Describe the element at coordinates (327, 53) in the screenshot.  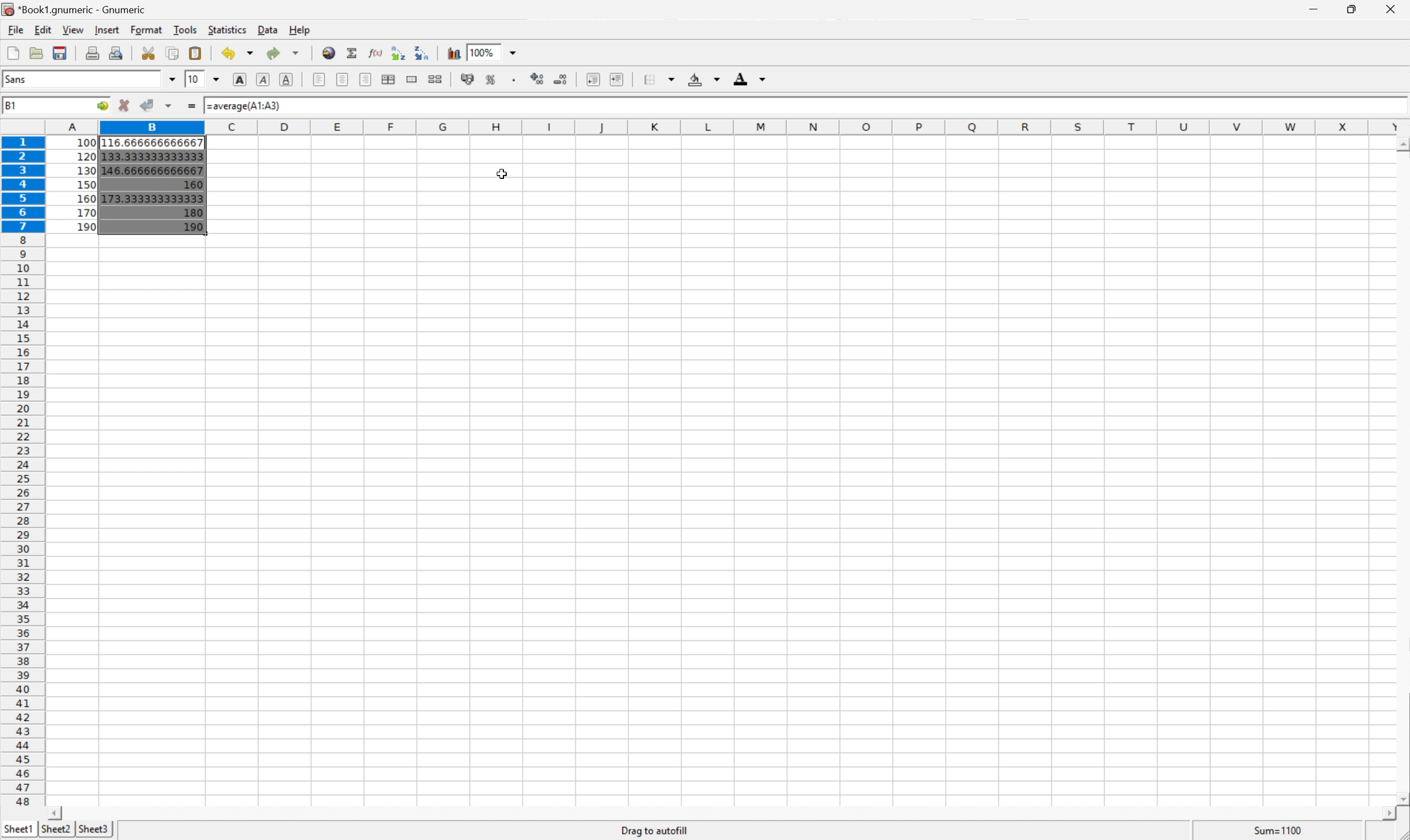
I see `Insert hyperlink` at that location.